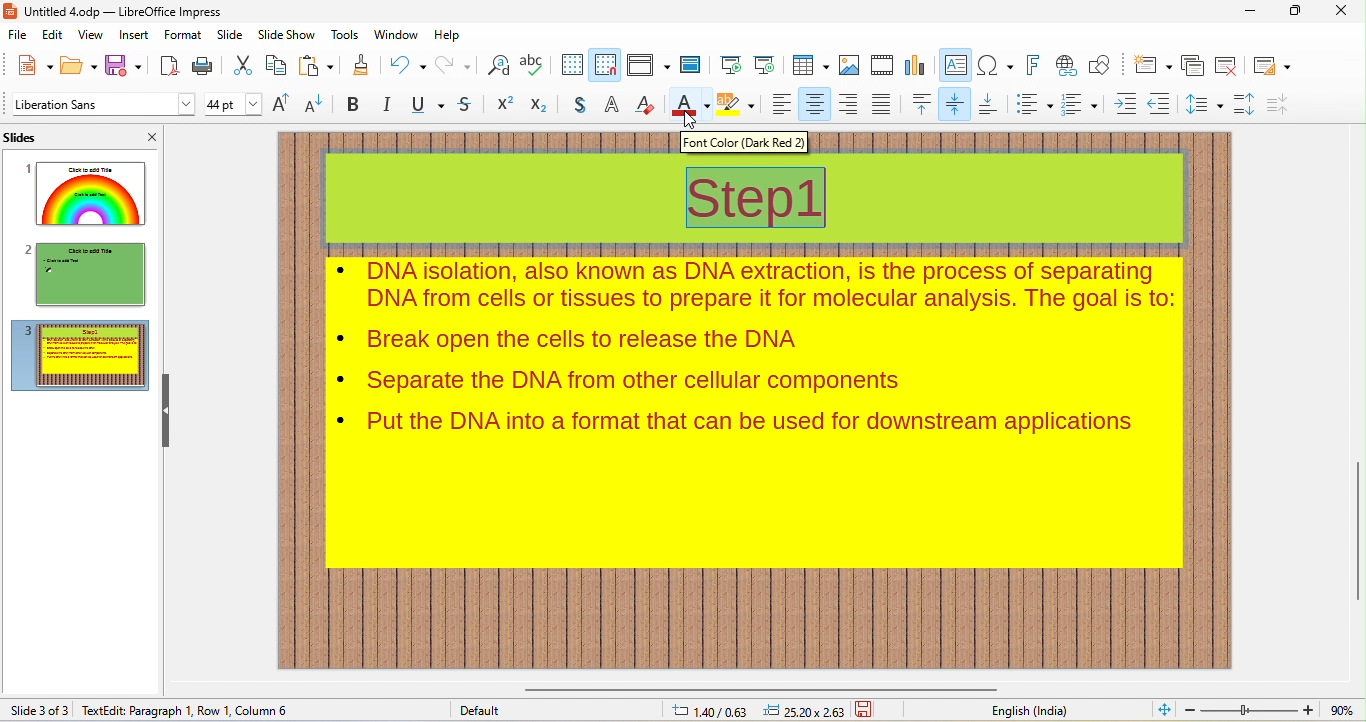 Image resolution: width=1366 pixels, height=722 pixels. I want to click on align left, so click(780, 105).